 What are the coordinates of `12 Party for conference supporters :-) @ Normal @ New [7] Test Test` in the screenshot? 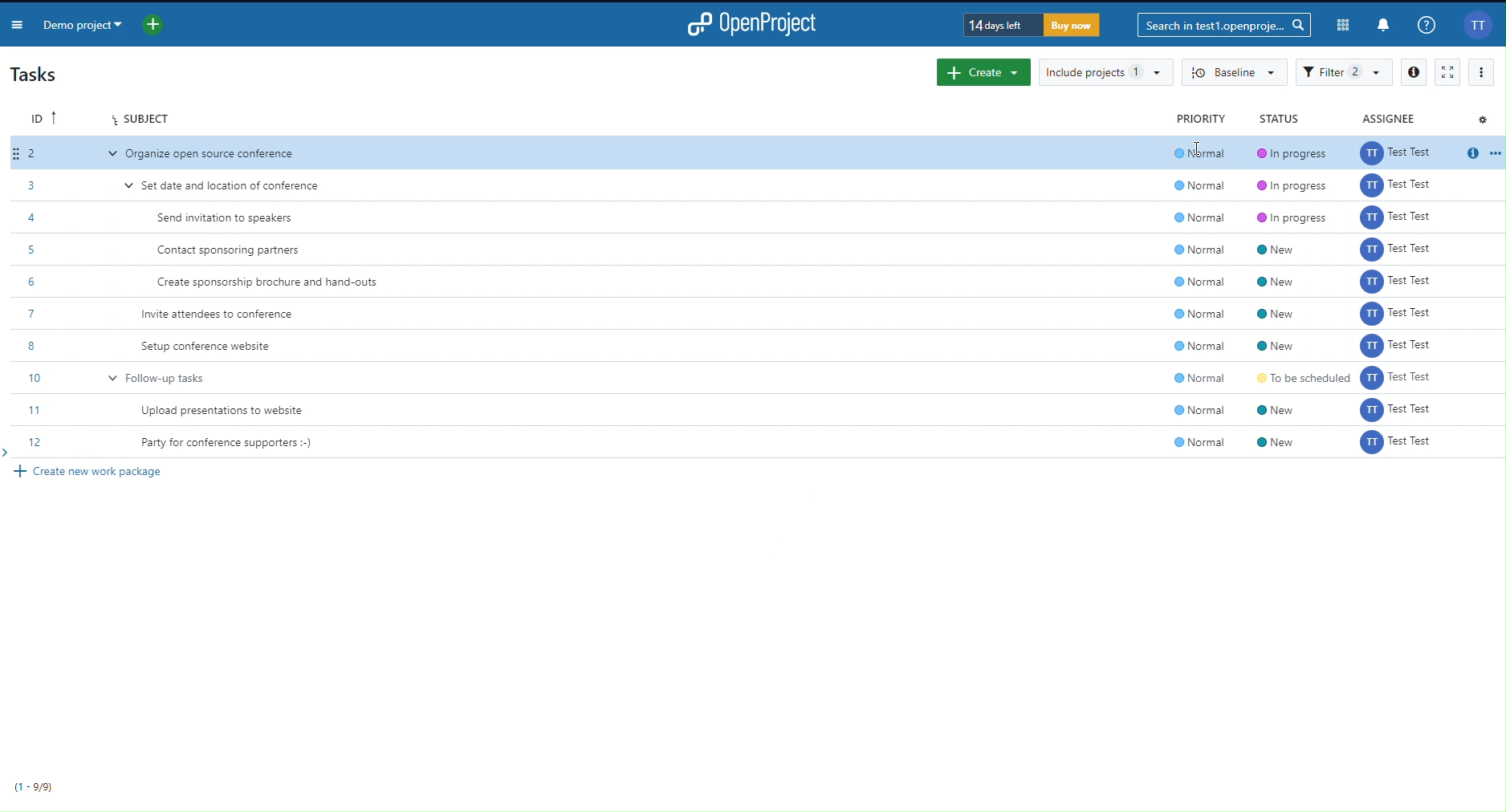 It's located at (760, 441).